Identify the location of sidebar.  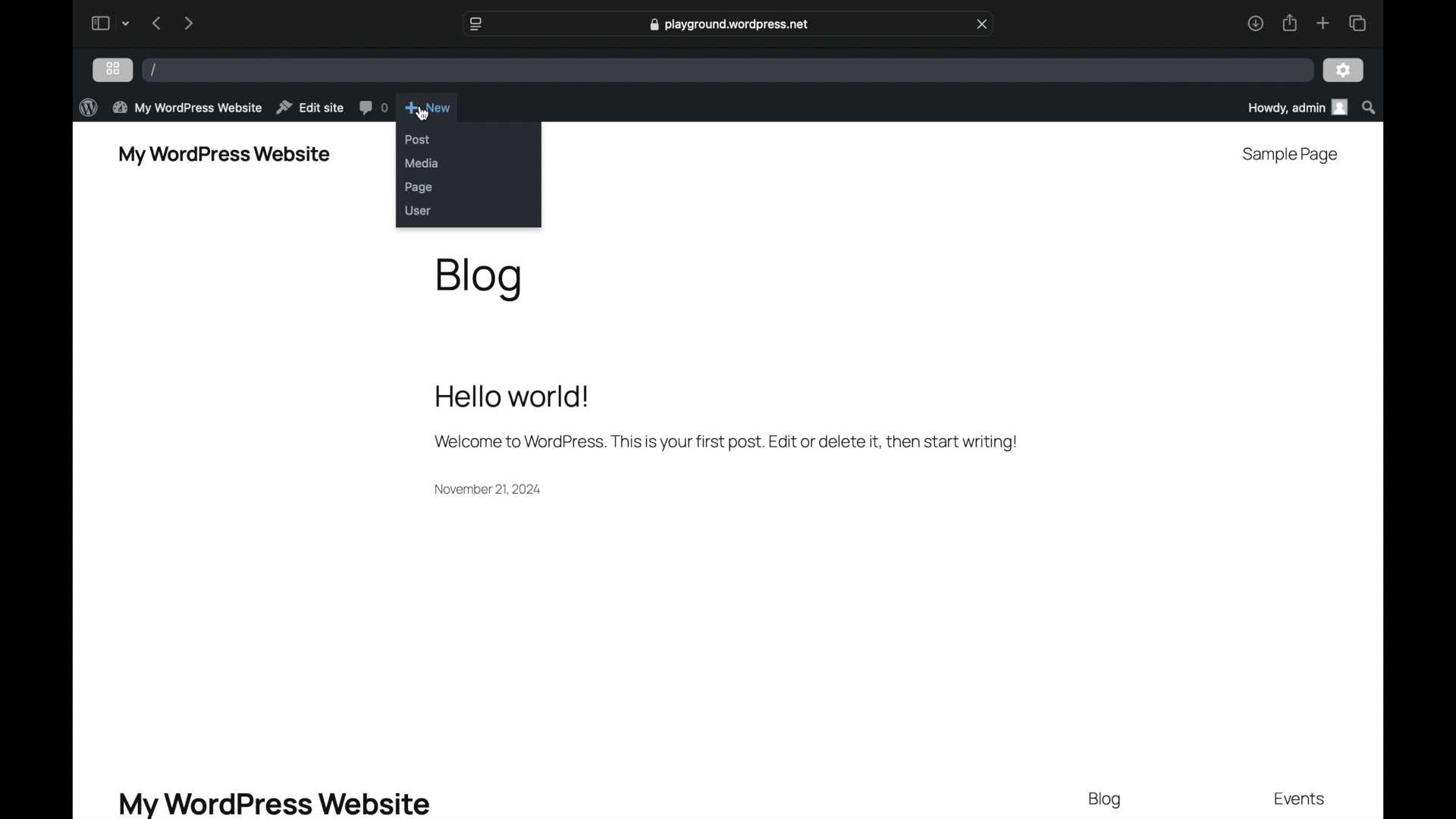
(99, 23).